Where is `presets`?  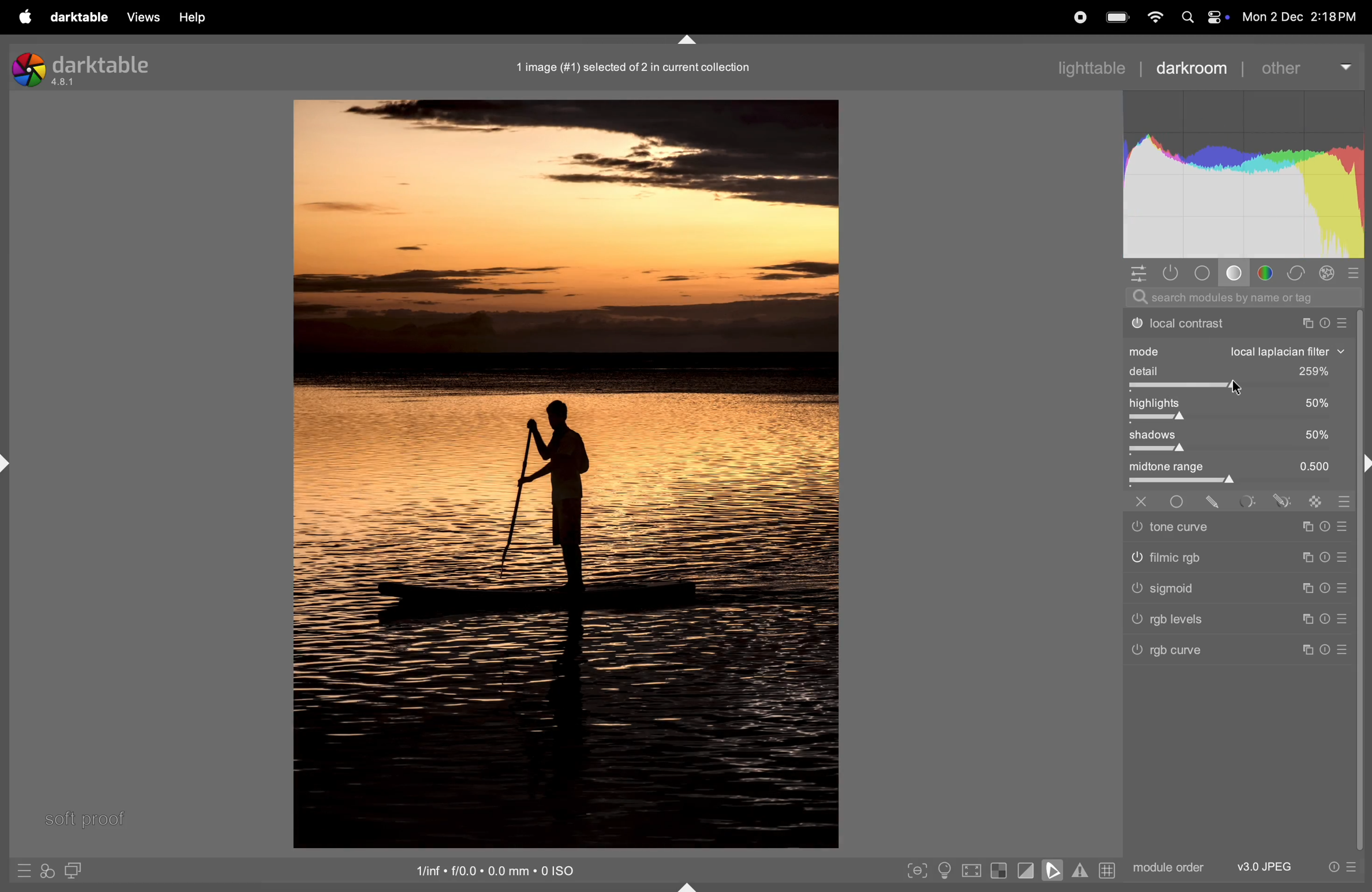
presets is located at coordinates (1342, 868).